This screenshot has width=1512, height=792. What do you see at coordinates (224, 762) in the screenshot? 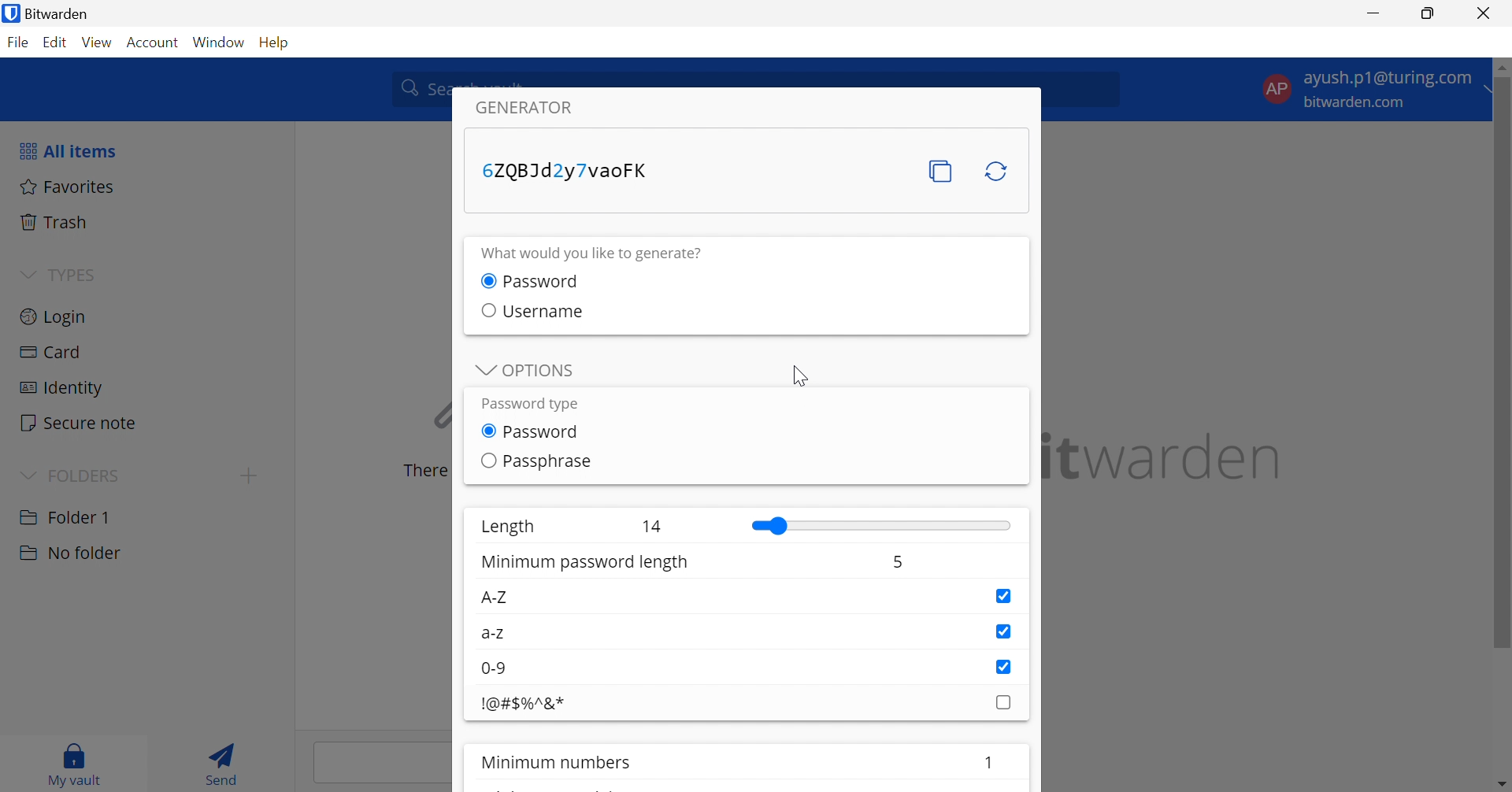
I see `Send` at bounding box center [224, 762].